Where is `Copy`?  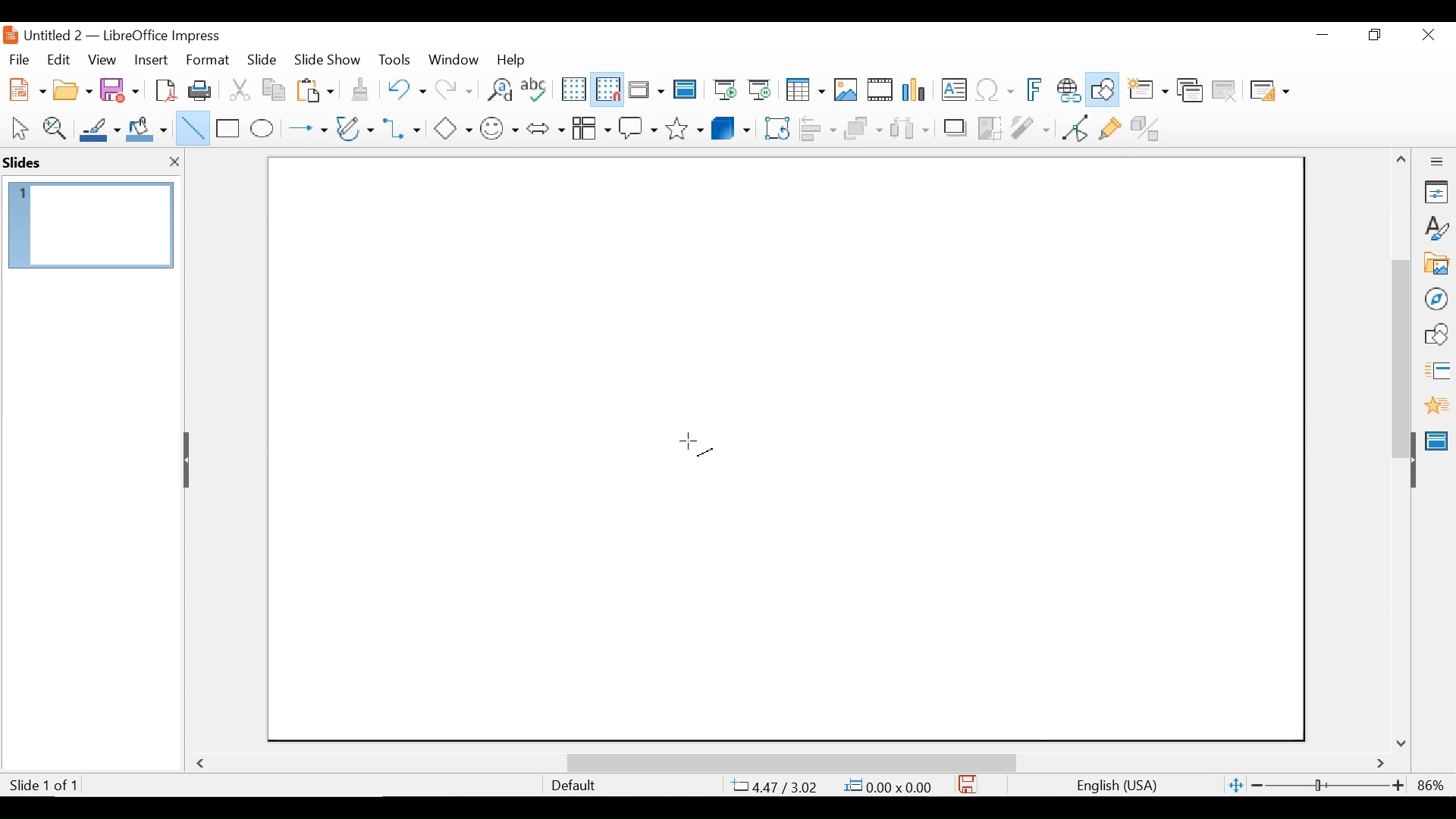 Copy is located at coordinates (275, 89).